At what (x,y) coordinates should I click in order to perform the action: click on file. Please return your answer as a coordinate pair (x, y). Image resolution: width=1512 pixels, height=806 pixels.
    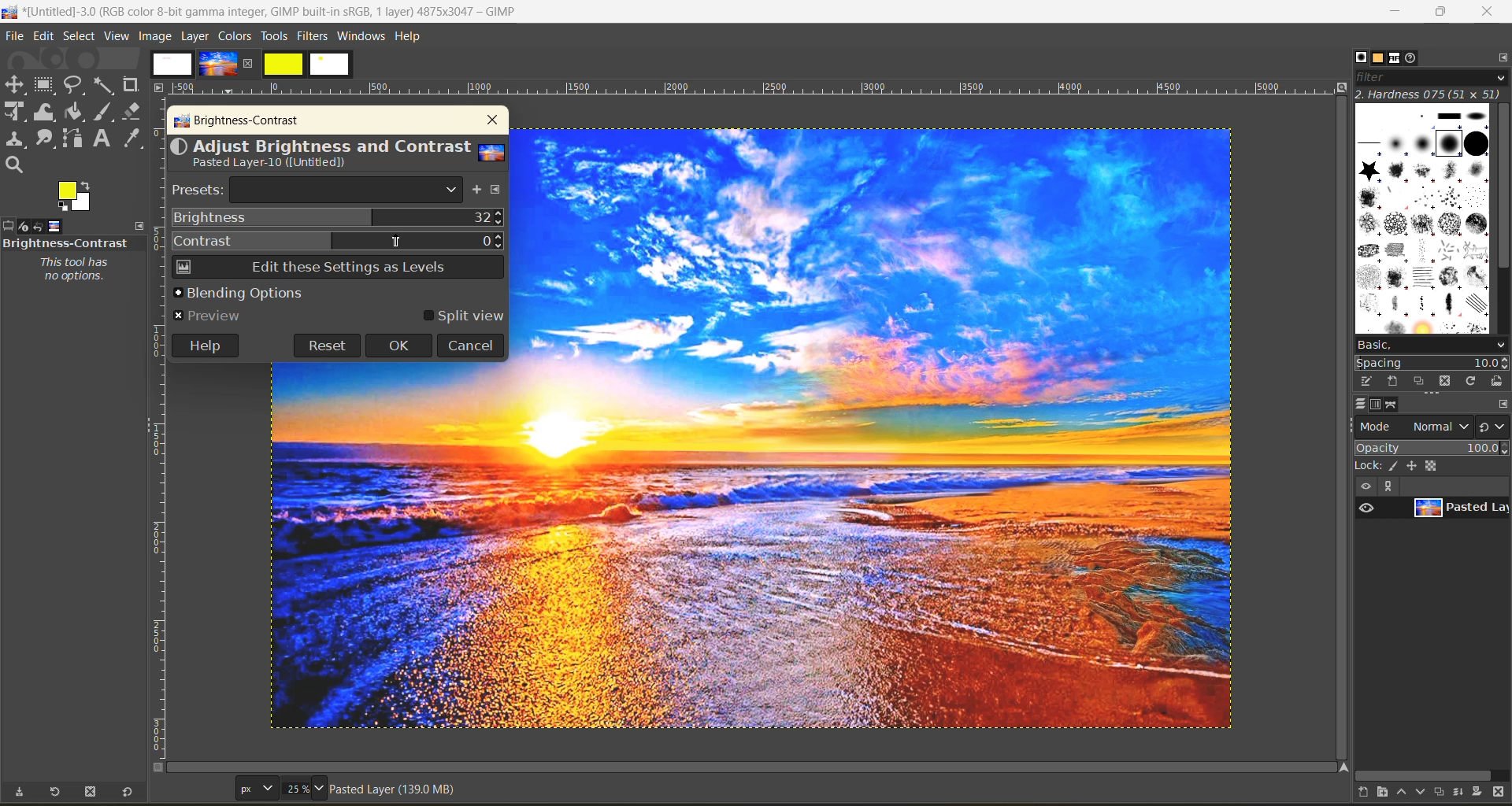
    Looking at the image, I should click on (13, 38).